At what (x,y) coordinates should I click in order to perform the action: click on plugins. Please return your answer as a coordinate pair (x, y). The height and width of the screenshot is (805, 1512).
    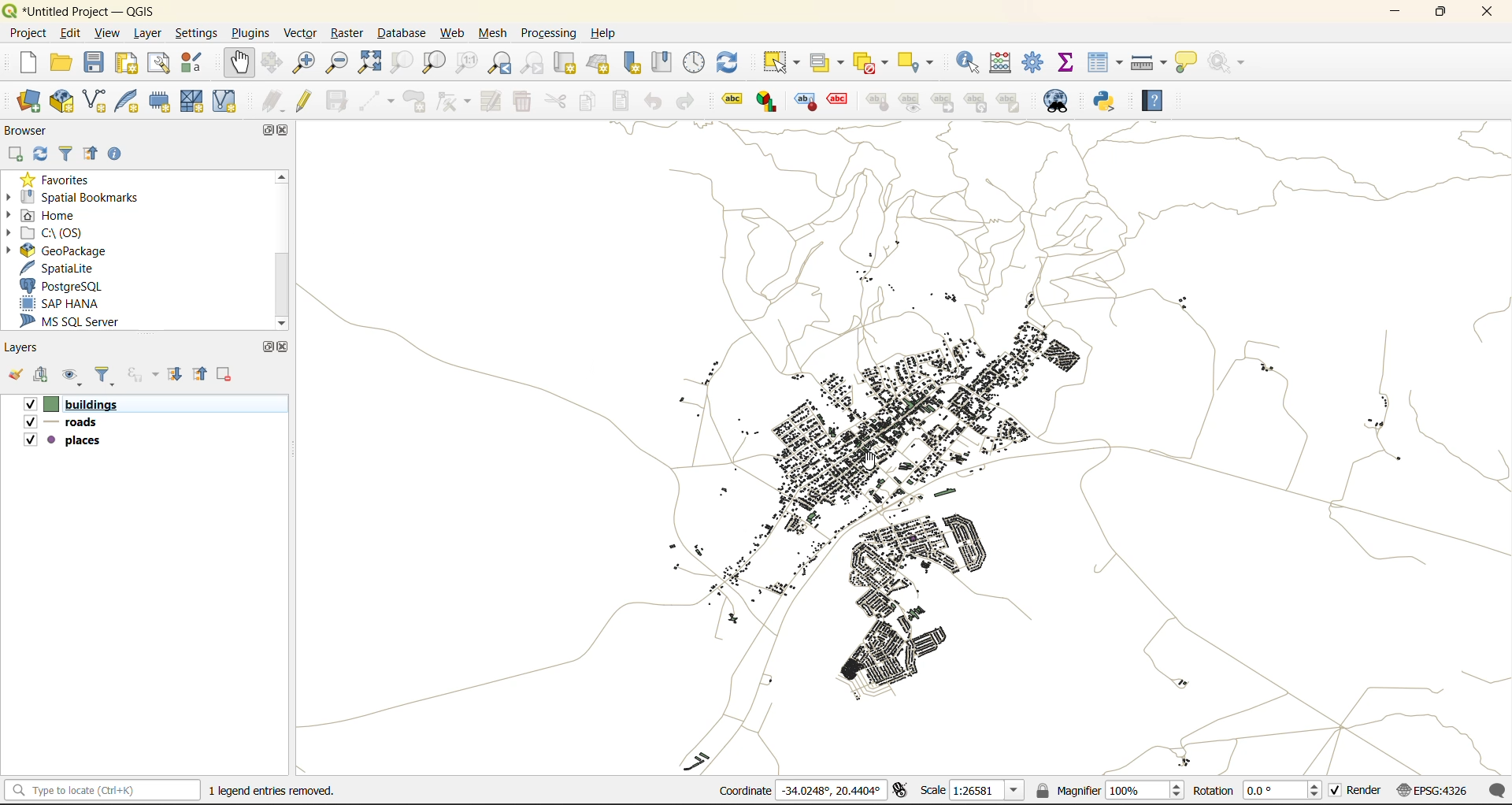
    Looking at the image, I should click on (248, 32).